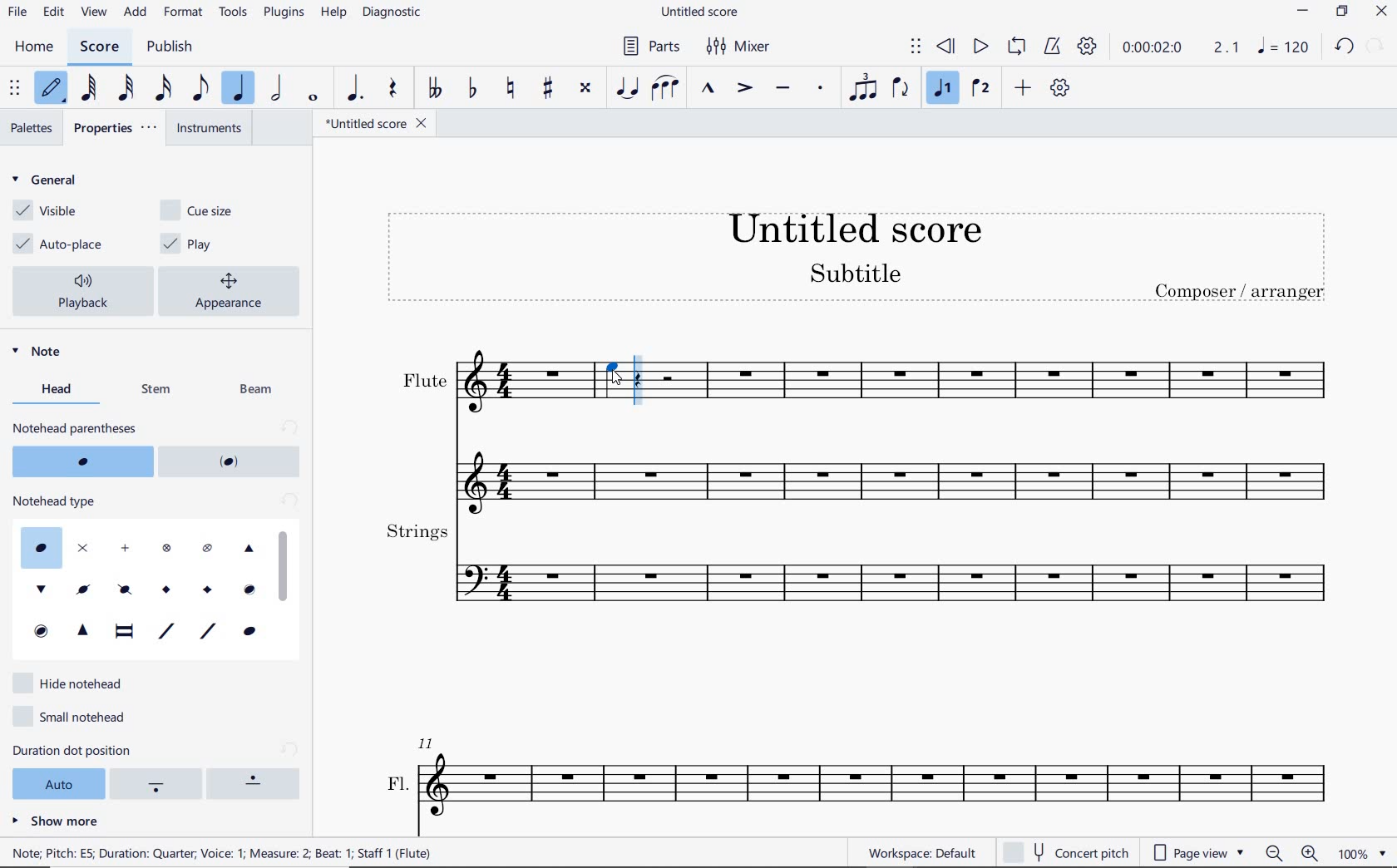 The width and height of the screenshot is (1397, 868). Describe the element at coordinates (1284, 50) in the screenshot. I see `note` at that location.